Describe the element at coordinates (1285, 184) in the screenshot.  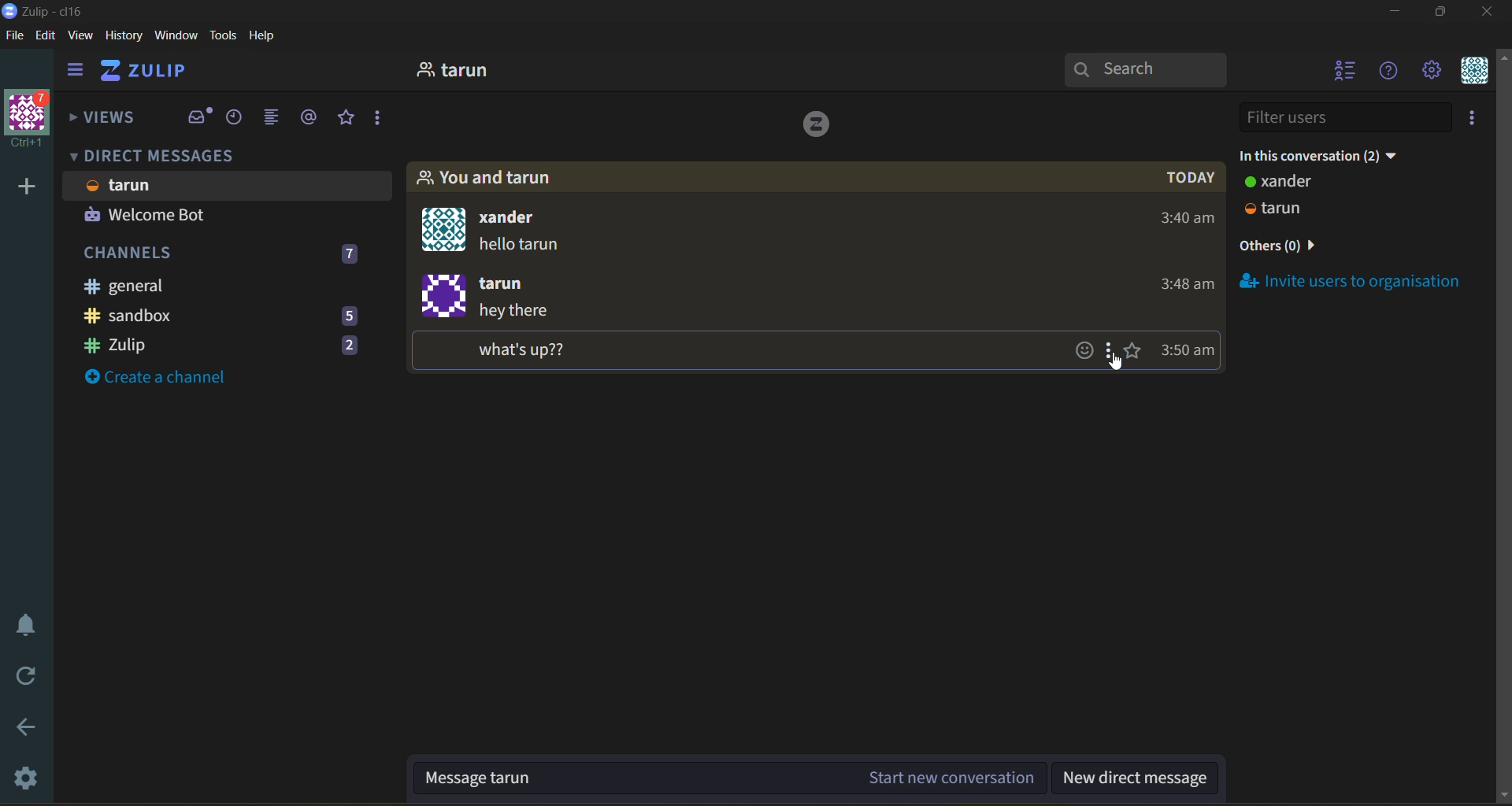
I see `user` at that location.